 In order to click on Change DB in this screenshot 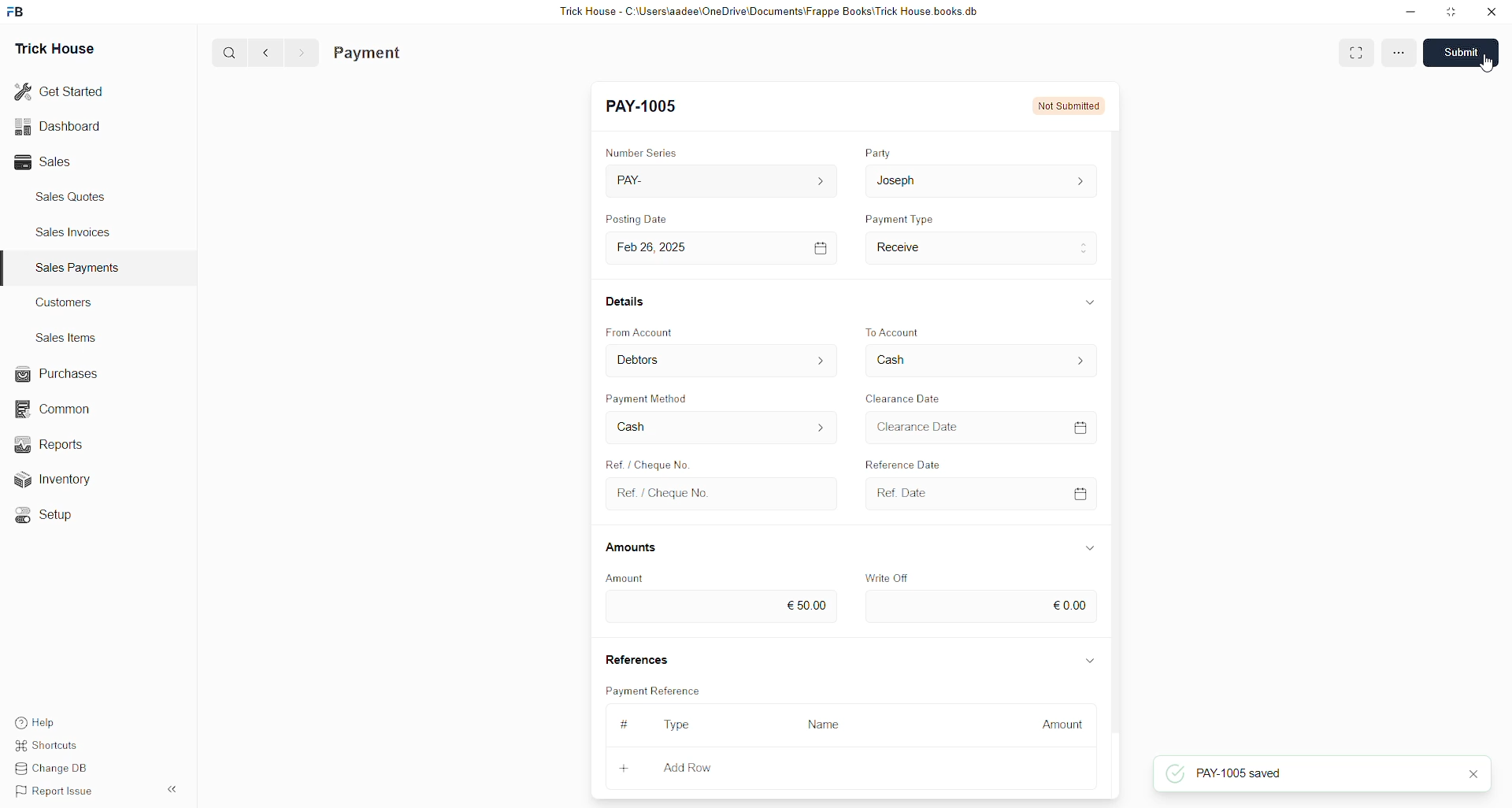, I will do `click(57, 767)`.